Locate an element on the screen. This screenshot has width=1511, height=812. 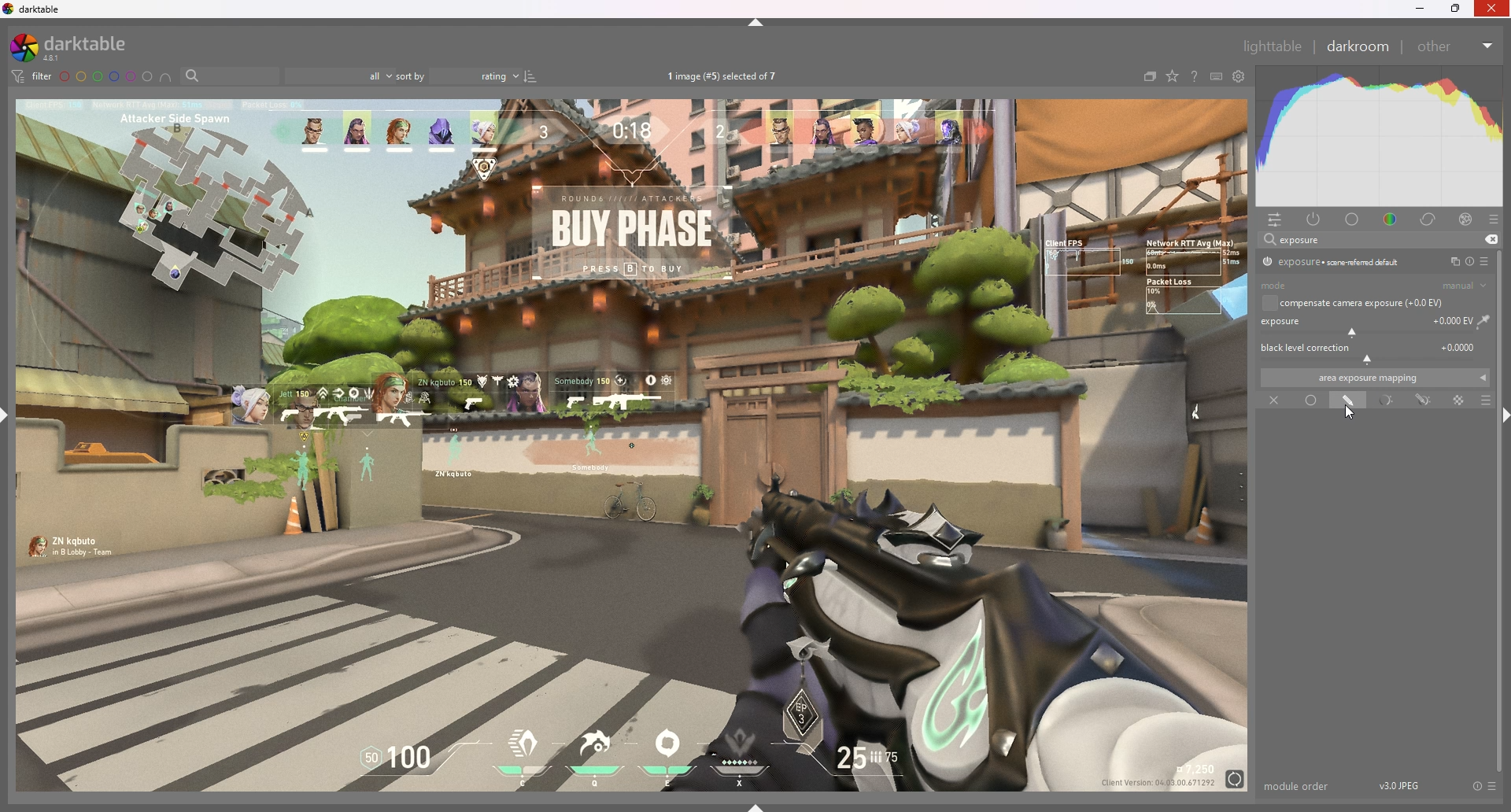
mode is located at coordinates (1374, 286).